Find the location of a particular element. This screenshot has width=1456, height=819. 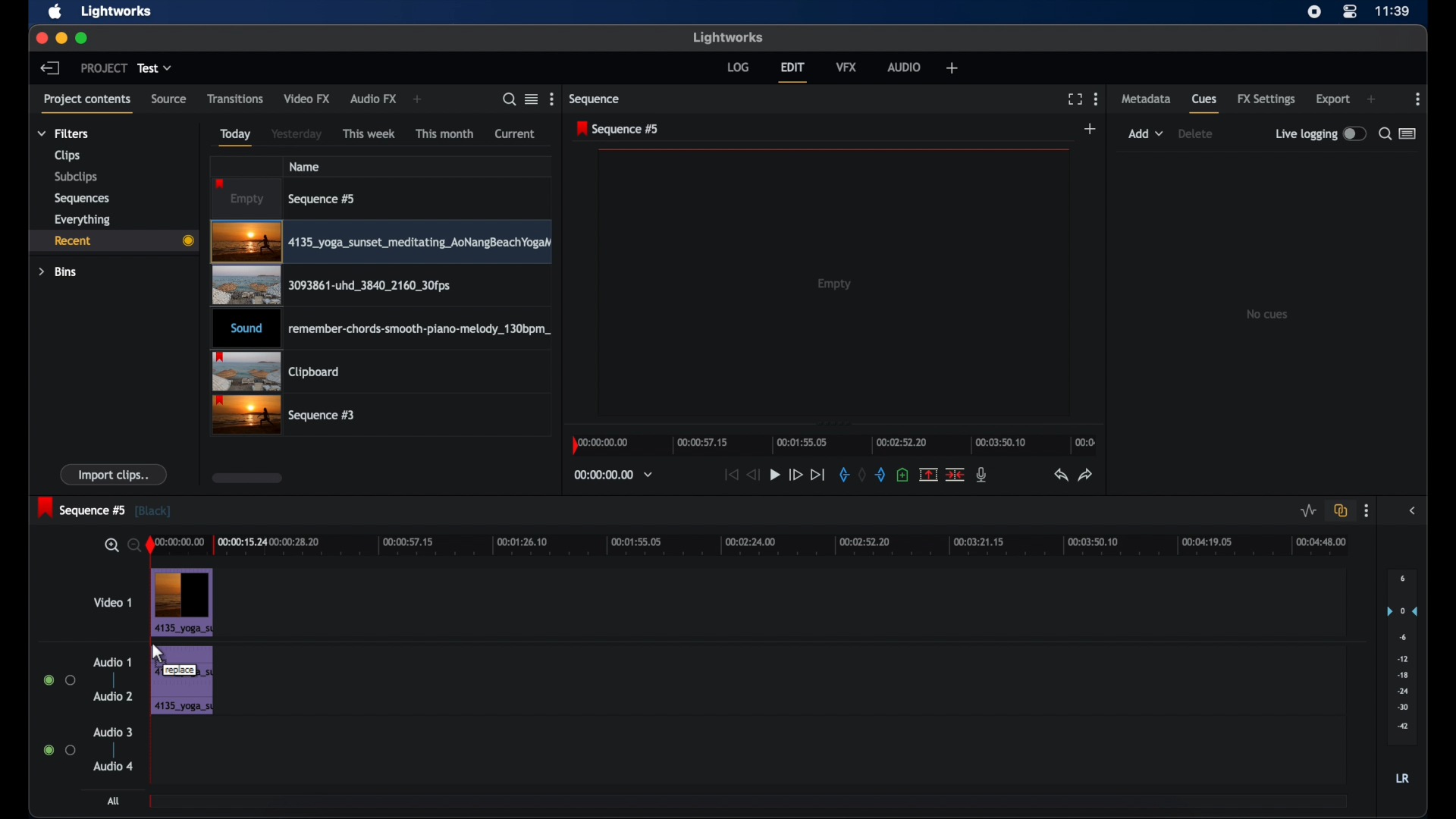

in mark is located at coordinates (842, 475).